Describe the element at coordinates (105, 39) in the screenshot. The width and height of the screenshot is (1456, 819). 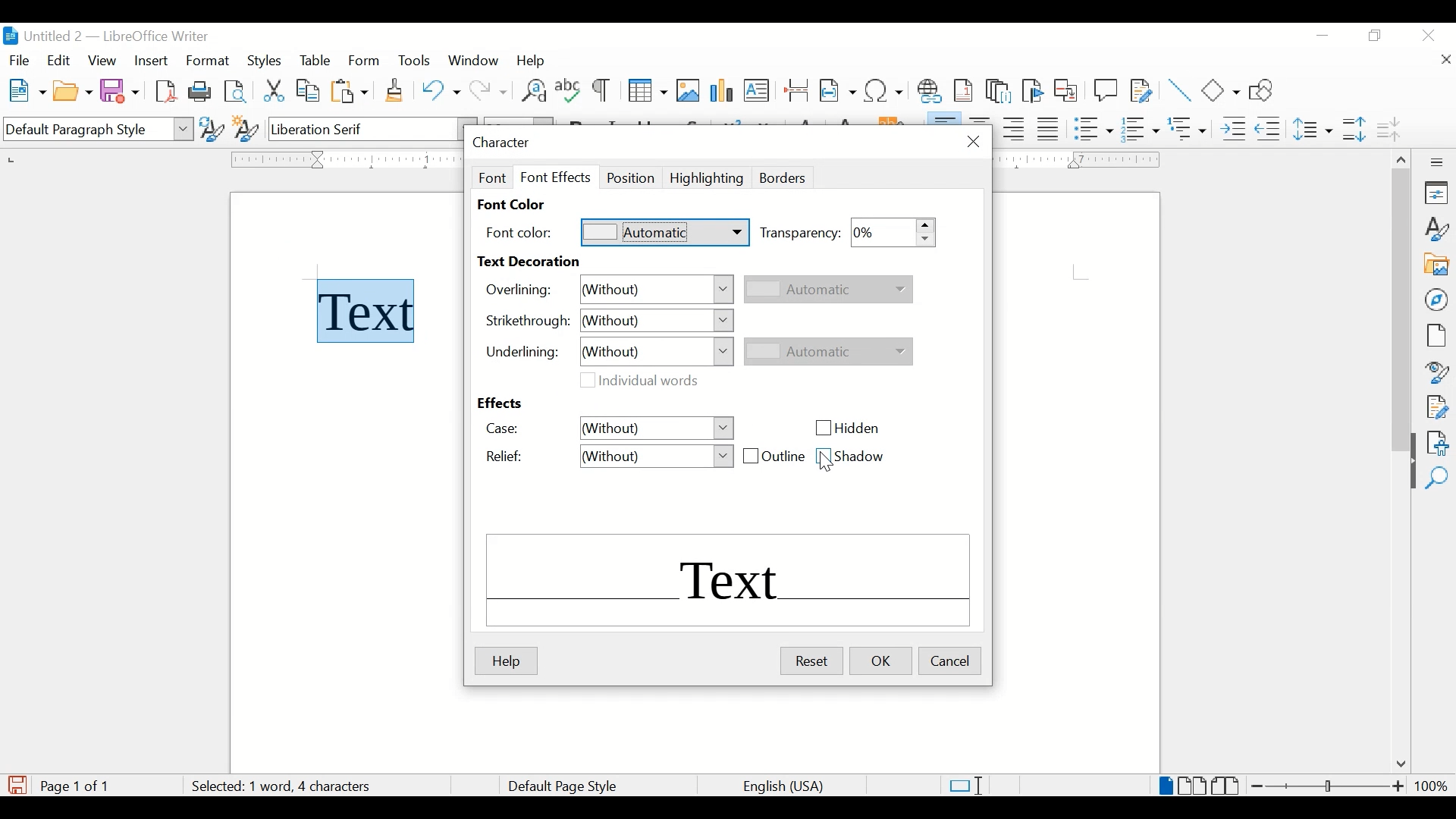
I see `untitled 2 - libreOffice Writer` at that location.